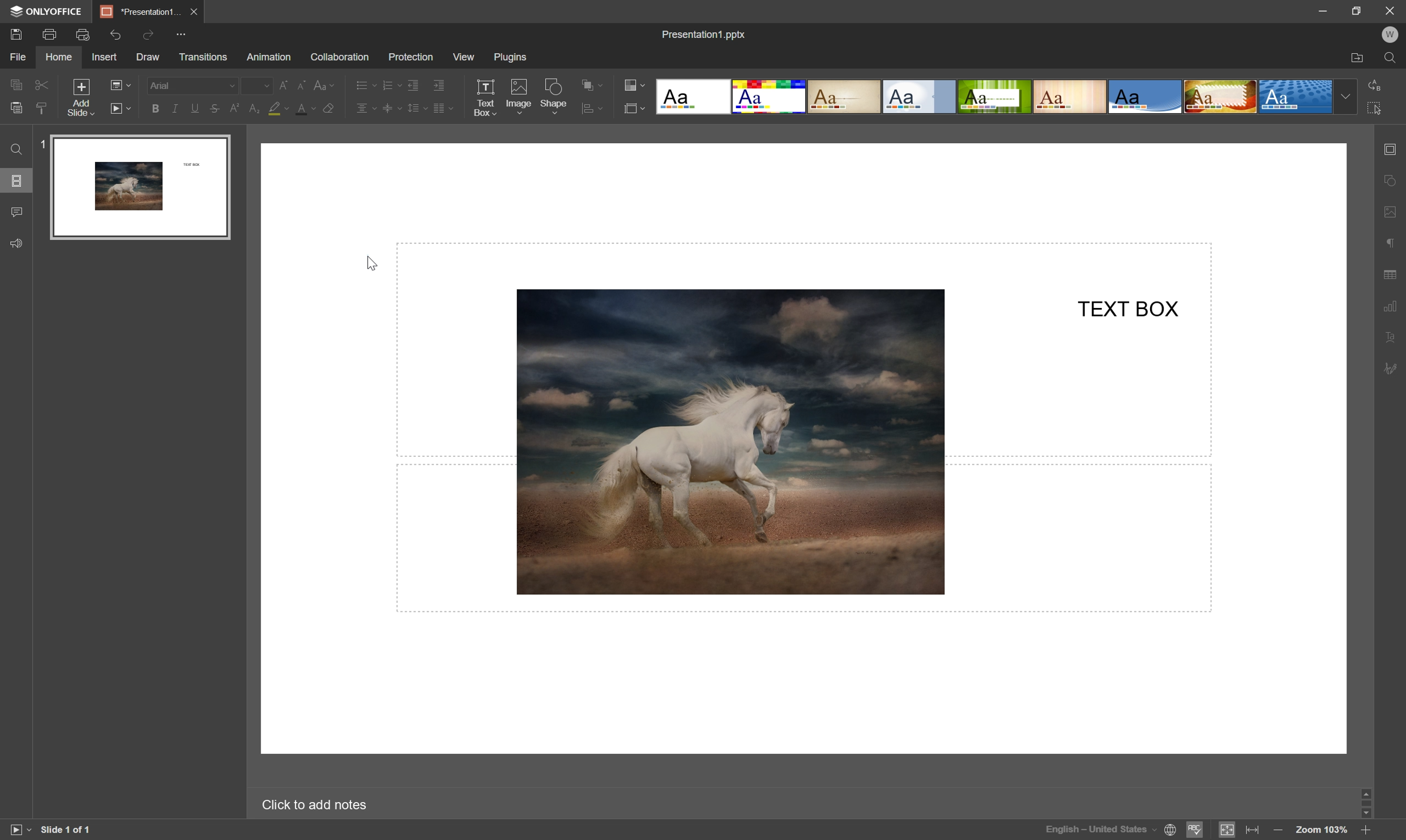 This screenshot has height=840, width=1406. What do you see at coordinates (1297, 98) in the screenshot?
I see `Dotted` at bounding box center [1297, 98].